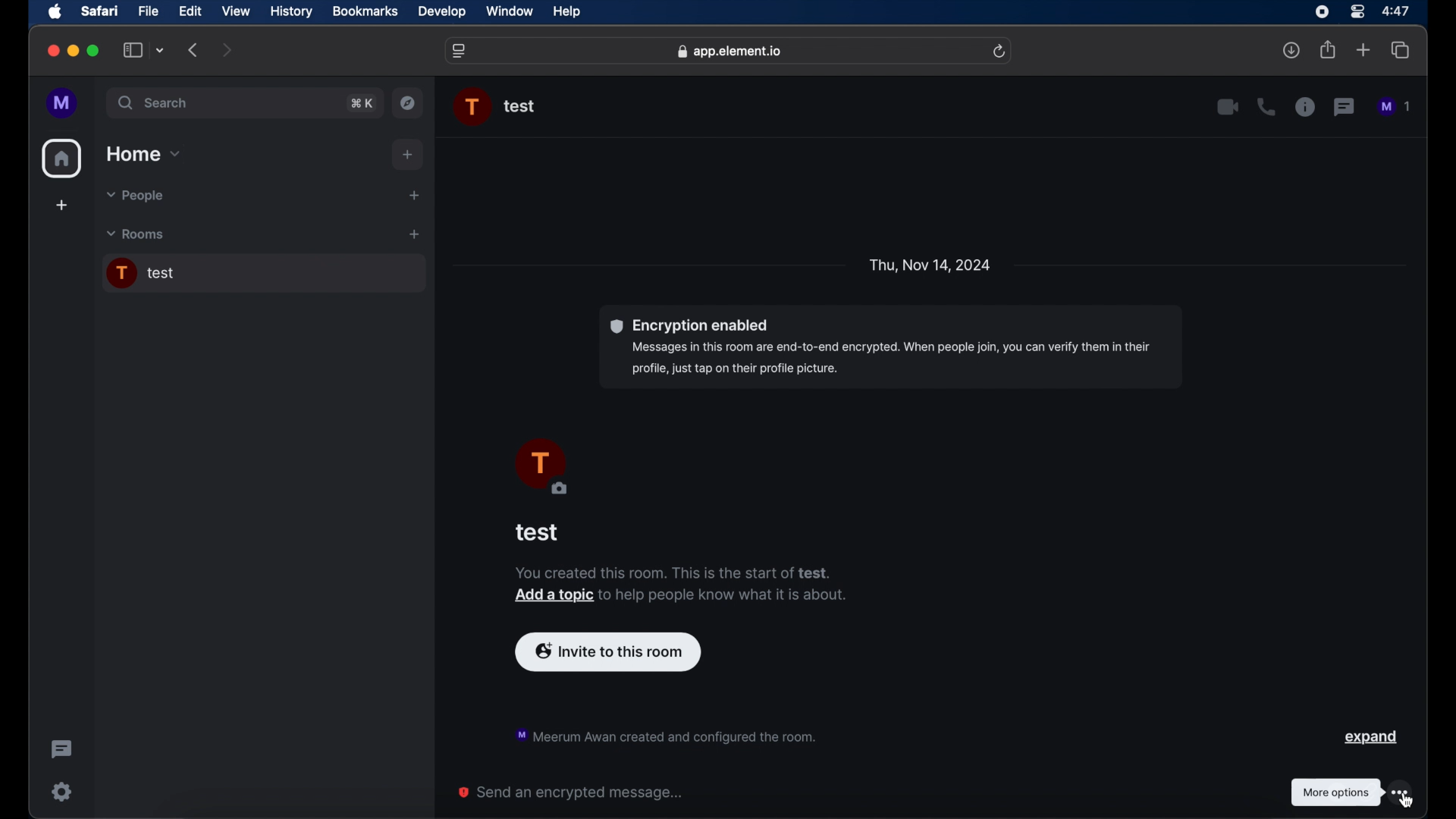 The height and width of the screenshot is (819, 1456). What do you see at coordinates (1266, 107) in the screenshot?
I see `voice call` at bounding box center [1266, 107].